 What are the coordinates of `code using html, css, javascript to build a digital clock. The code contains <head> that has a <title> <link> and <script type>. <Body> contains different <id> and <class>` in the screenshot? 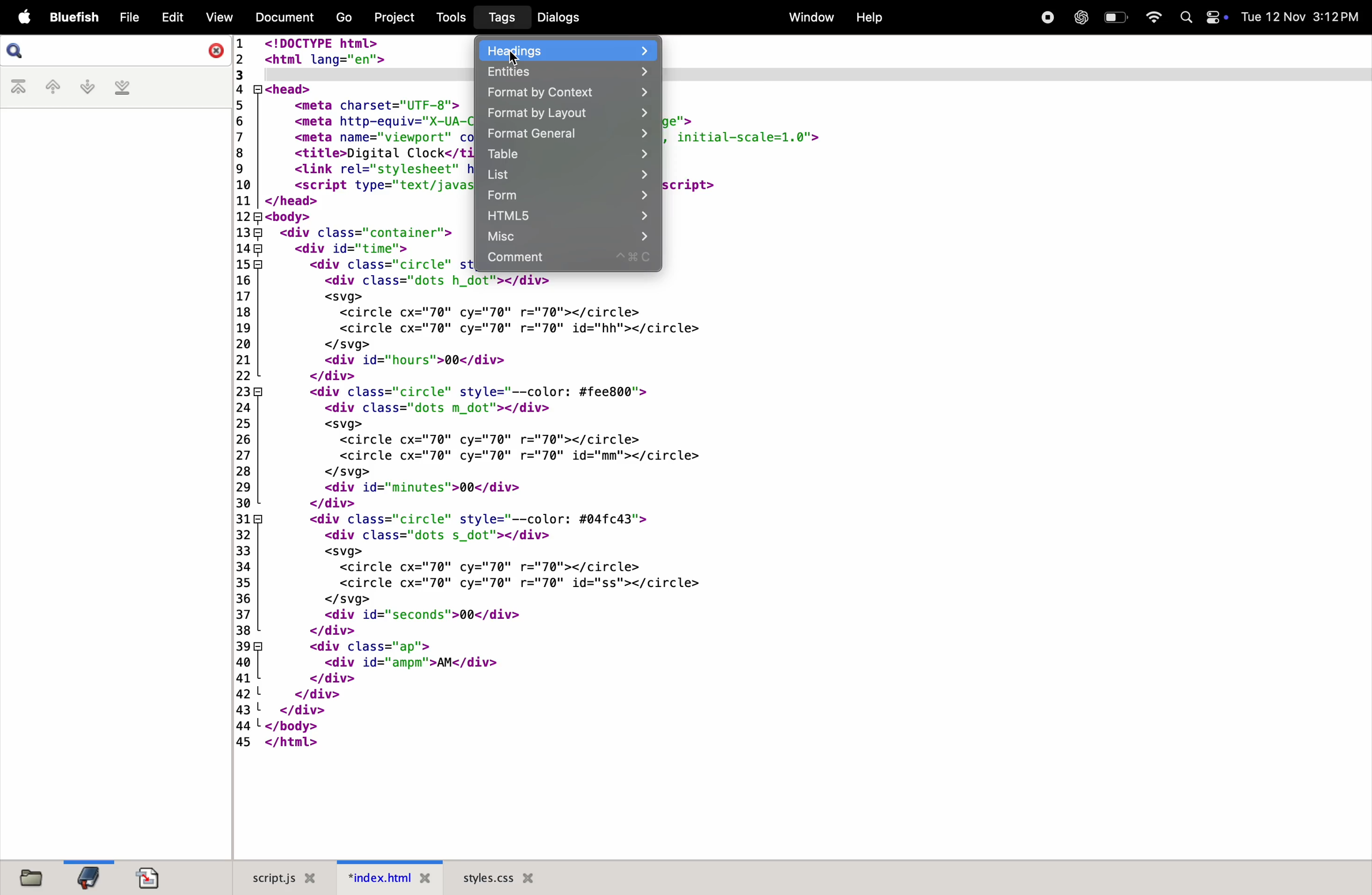 It's located at (1017, 155).